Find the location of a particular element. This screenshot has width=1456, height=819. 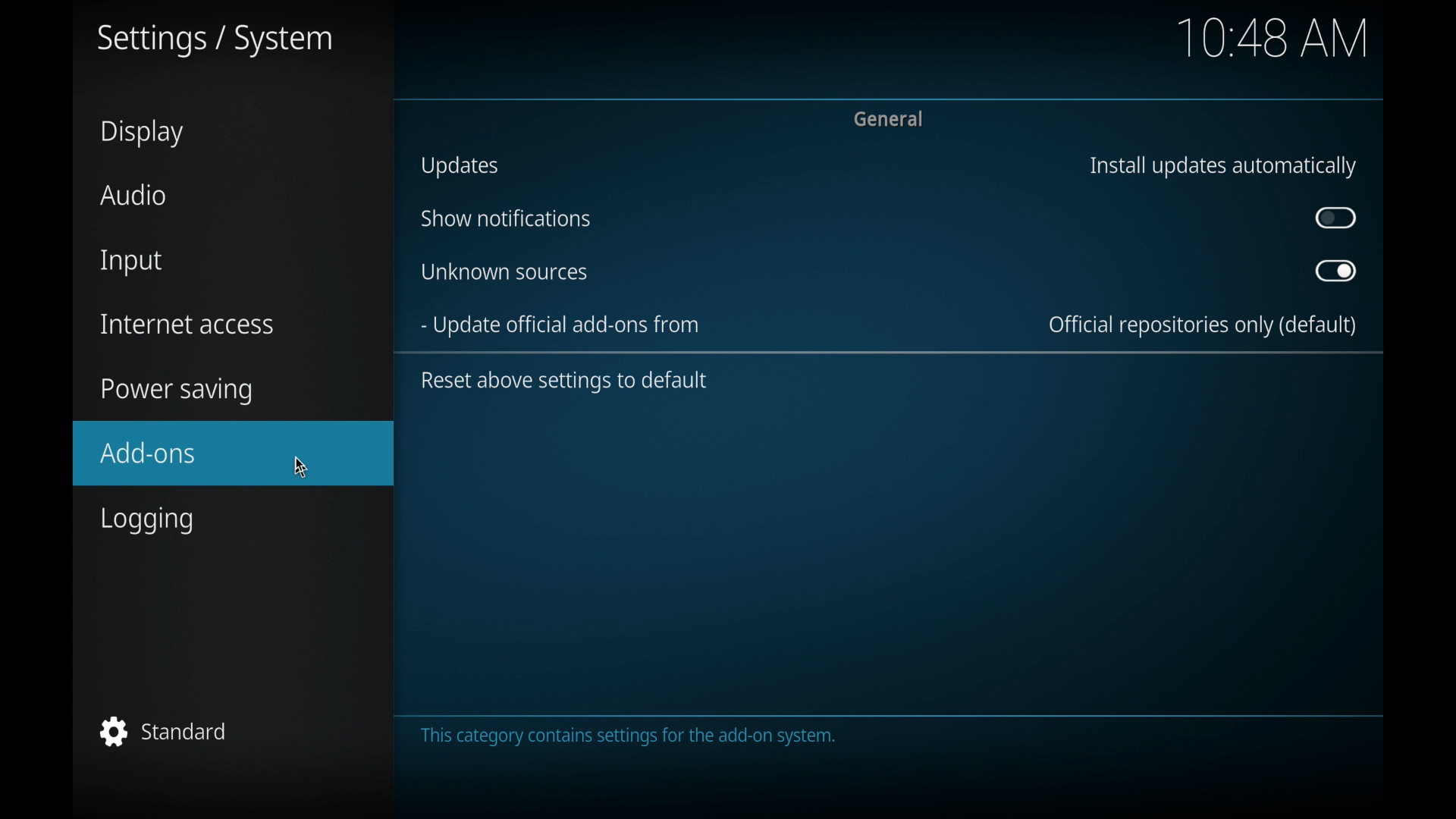

official repositories only is located at coordinates (1205, 328).